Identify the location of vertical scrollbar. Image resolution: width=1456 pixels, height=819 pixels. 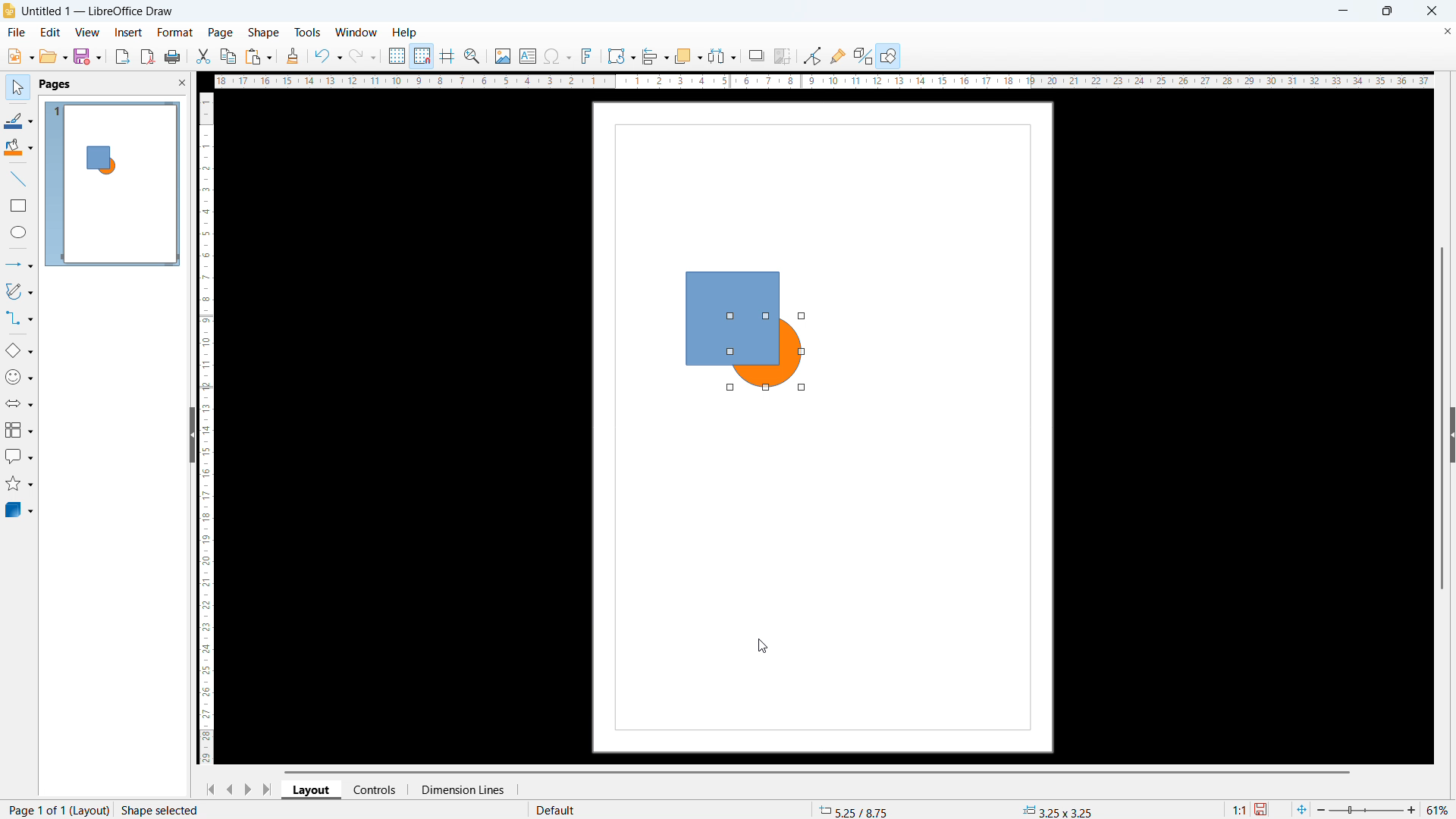
(207, 428).